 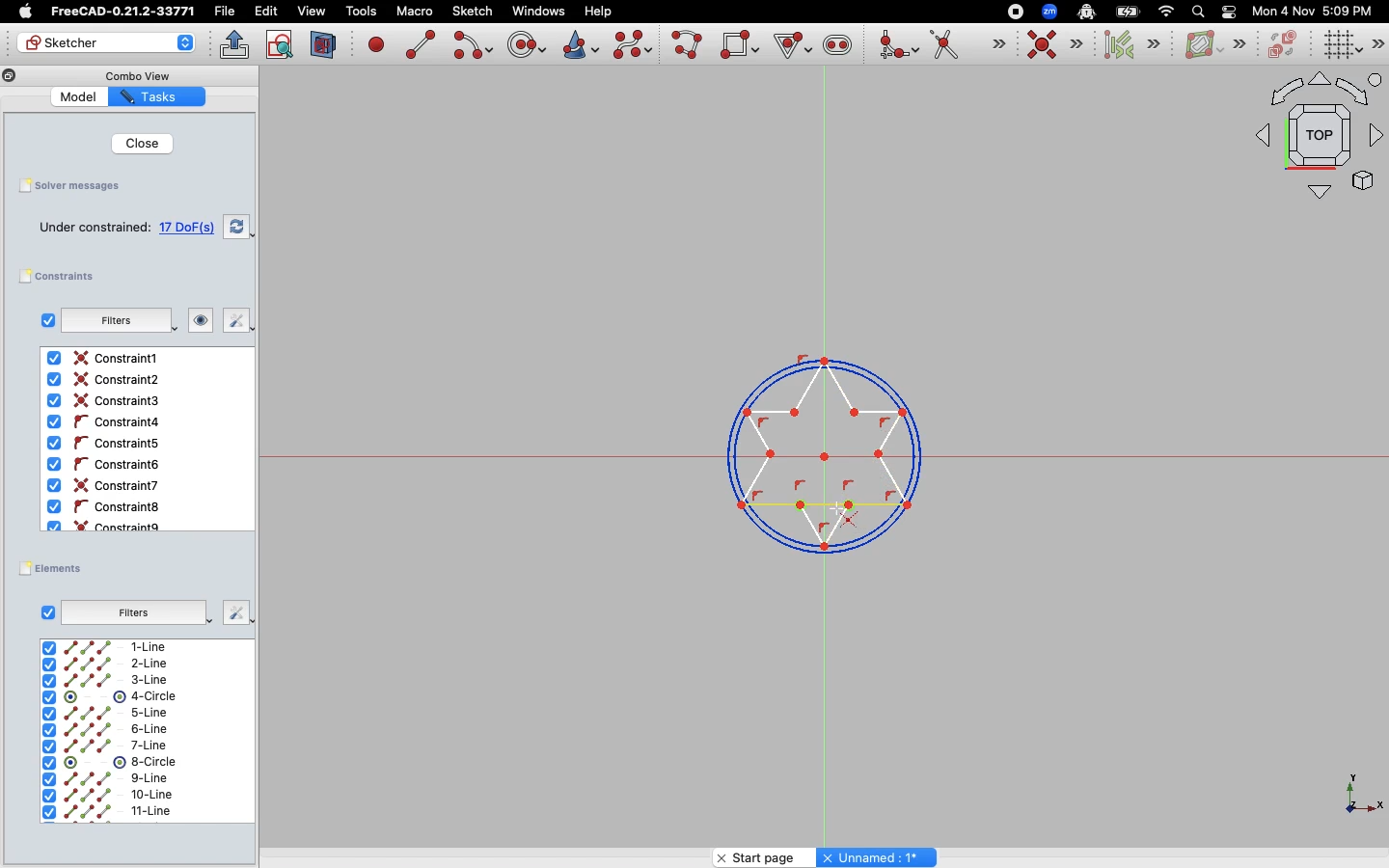 What do you see at coordinates (106, 42) in the screenshot?
I see `Sketcher` at bounding box center [106, 42].